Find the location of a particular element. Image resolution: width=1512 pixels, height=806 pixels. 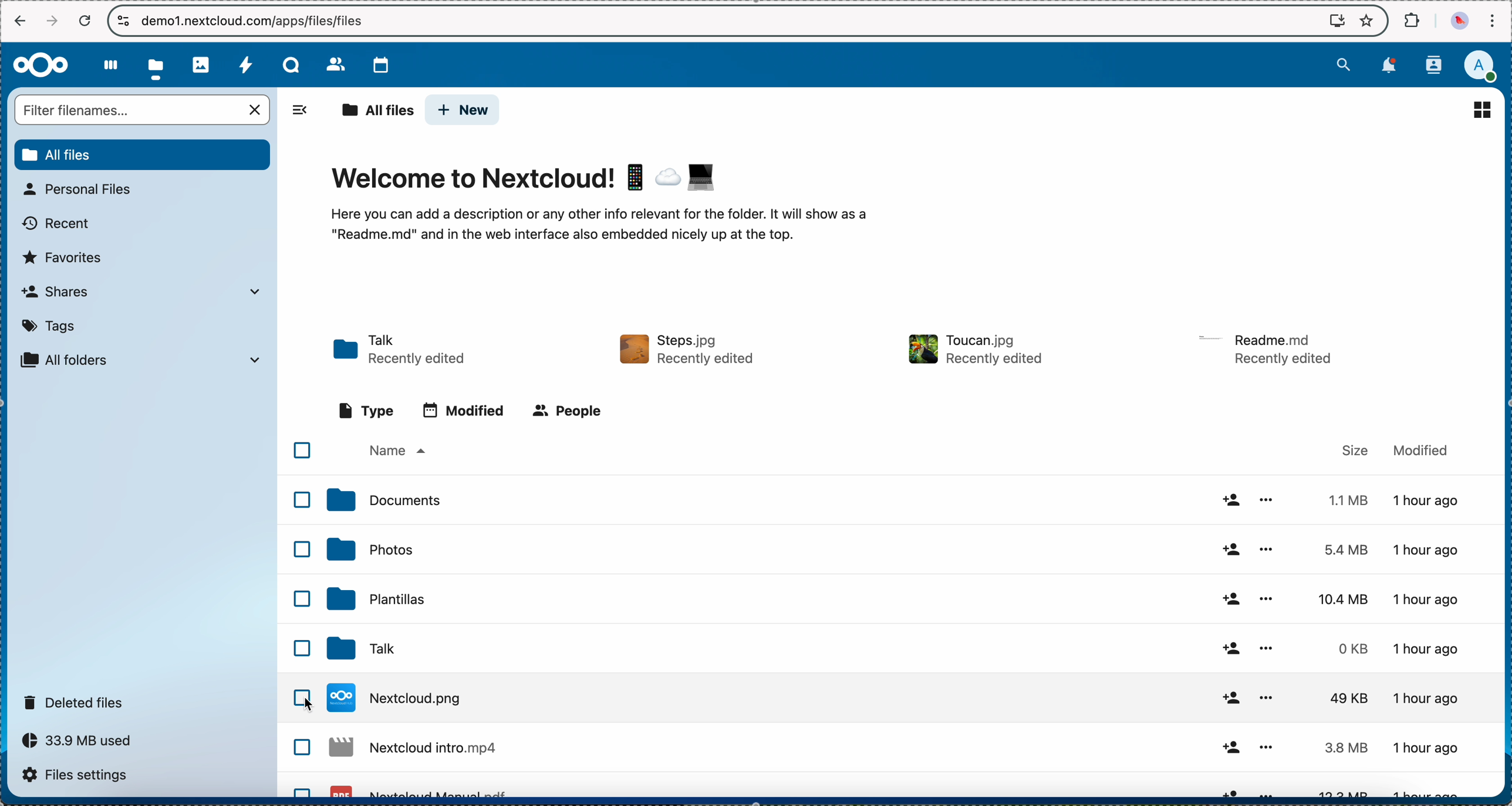

search is located at coordinates (1342, 65).